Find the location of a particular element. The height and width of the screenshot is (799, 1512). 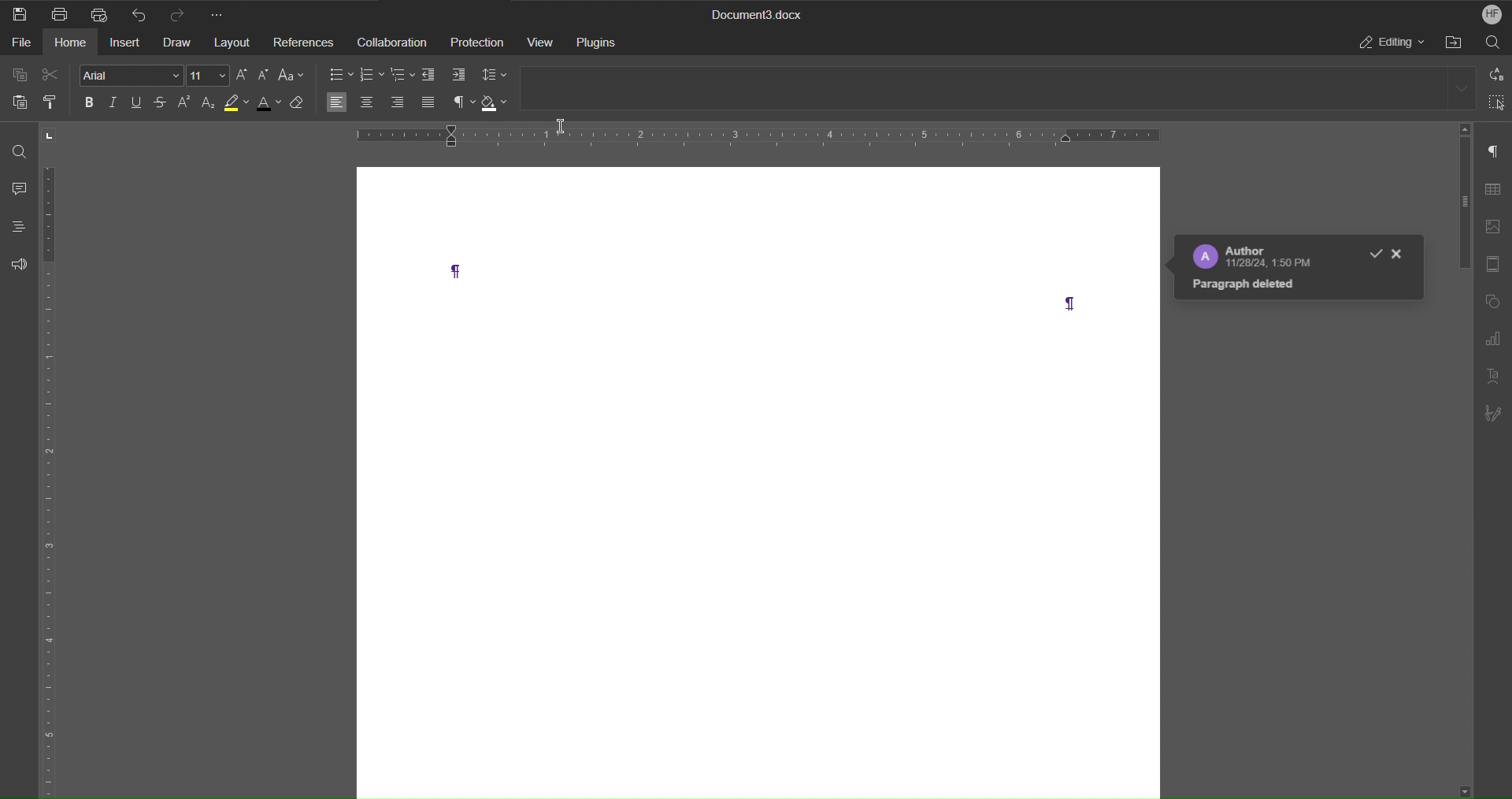

Clear all formatting is located at coordinates (300, 102).